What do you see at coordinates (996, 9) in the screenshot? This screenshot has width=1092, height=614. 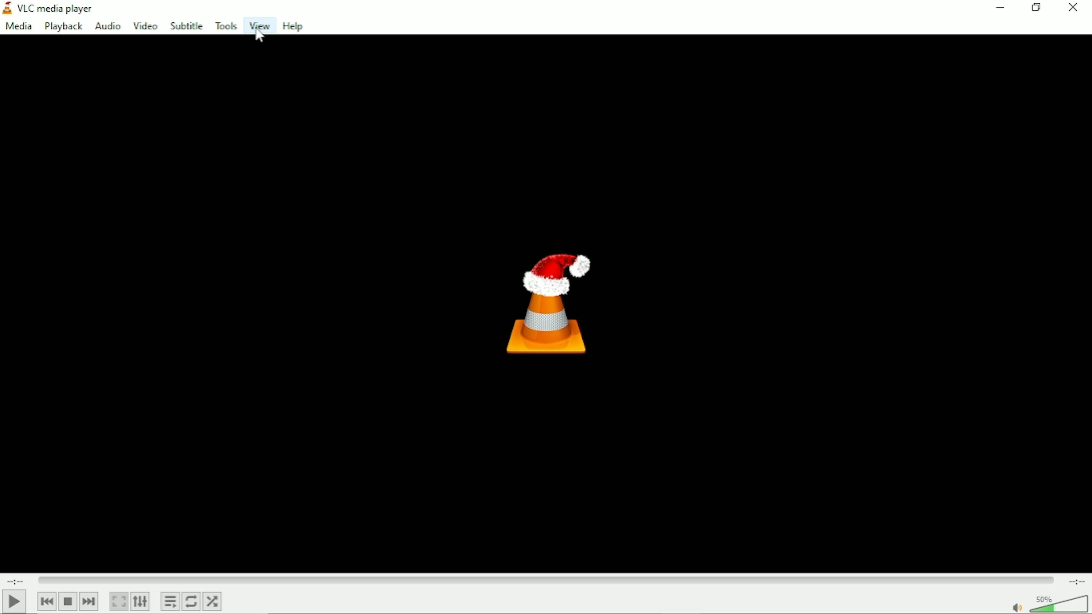 I see `Minimize` at bounding box center [996, 9].